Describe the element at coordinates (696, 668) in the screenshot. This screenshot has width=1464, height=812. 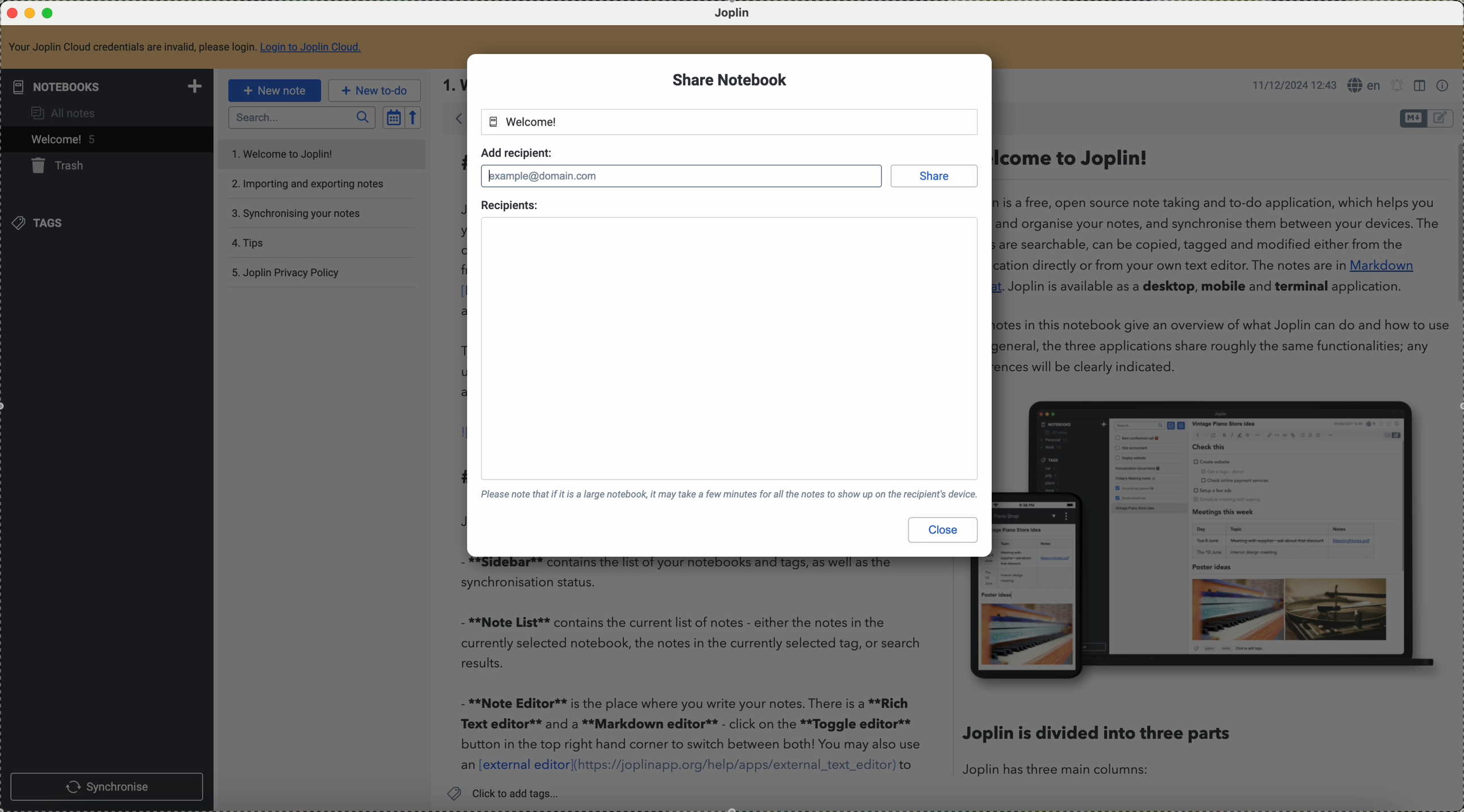
I see `- **Note List** contains the current list of notes - either the notes in the
currently selected notebook, the notes in the currently selected tag, or search
results.

- **Note Editor** is the place where you write your notes. There is a **Rich
Text editor** and a **Markdown editor** - click on the **Toggle editor**
button in the top right hand corner to switch between both! You may also use
an [external editor](https://joplinapp.org/help/apps/external_text_editor) to` at that location.